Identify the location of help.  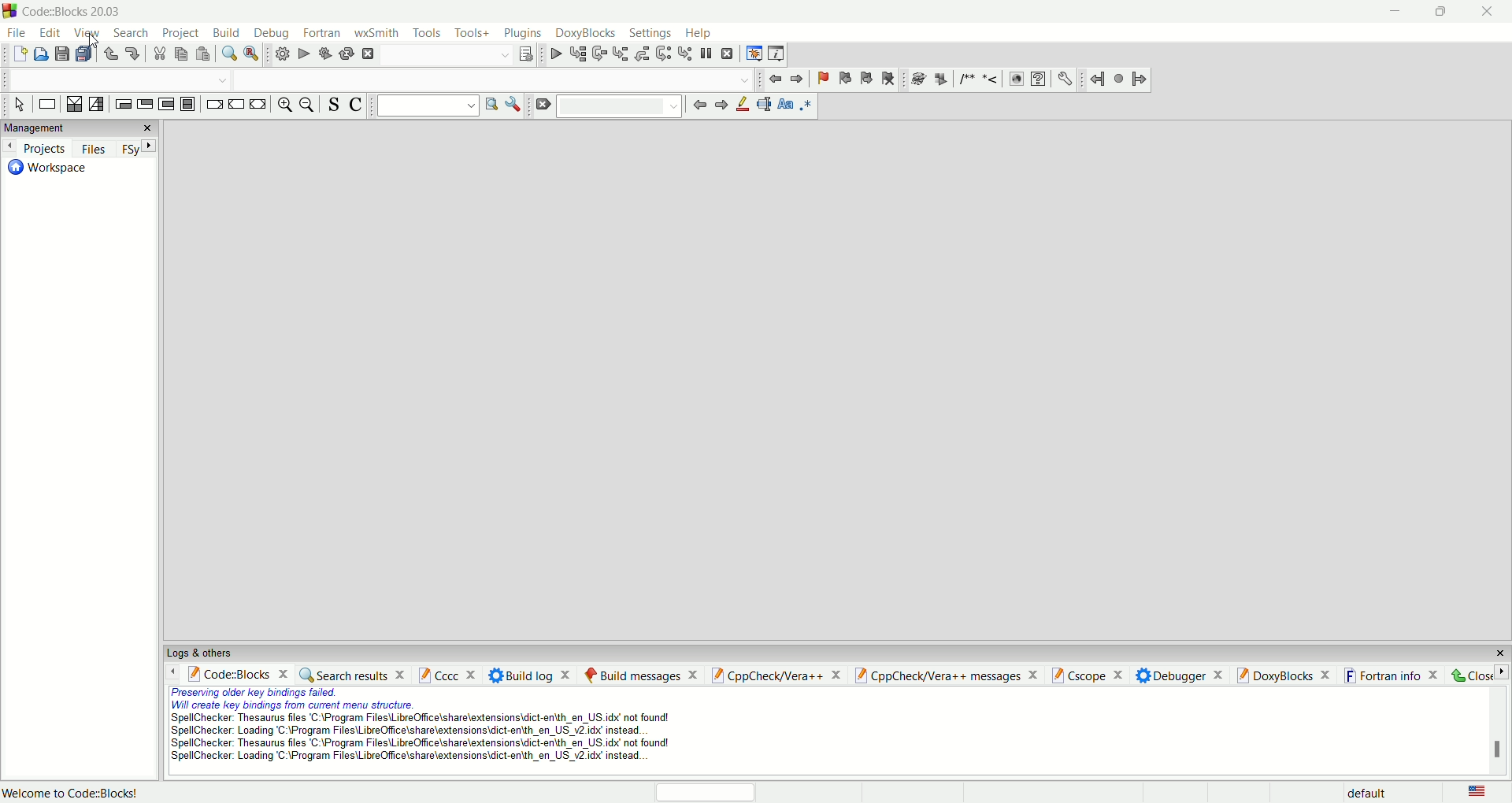
(1039, 80).